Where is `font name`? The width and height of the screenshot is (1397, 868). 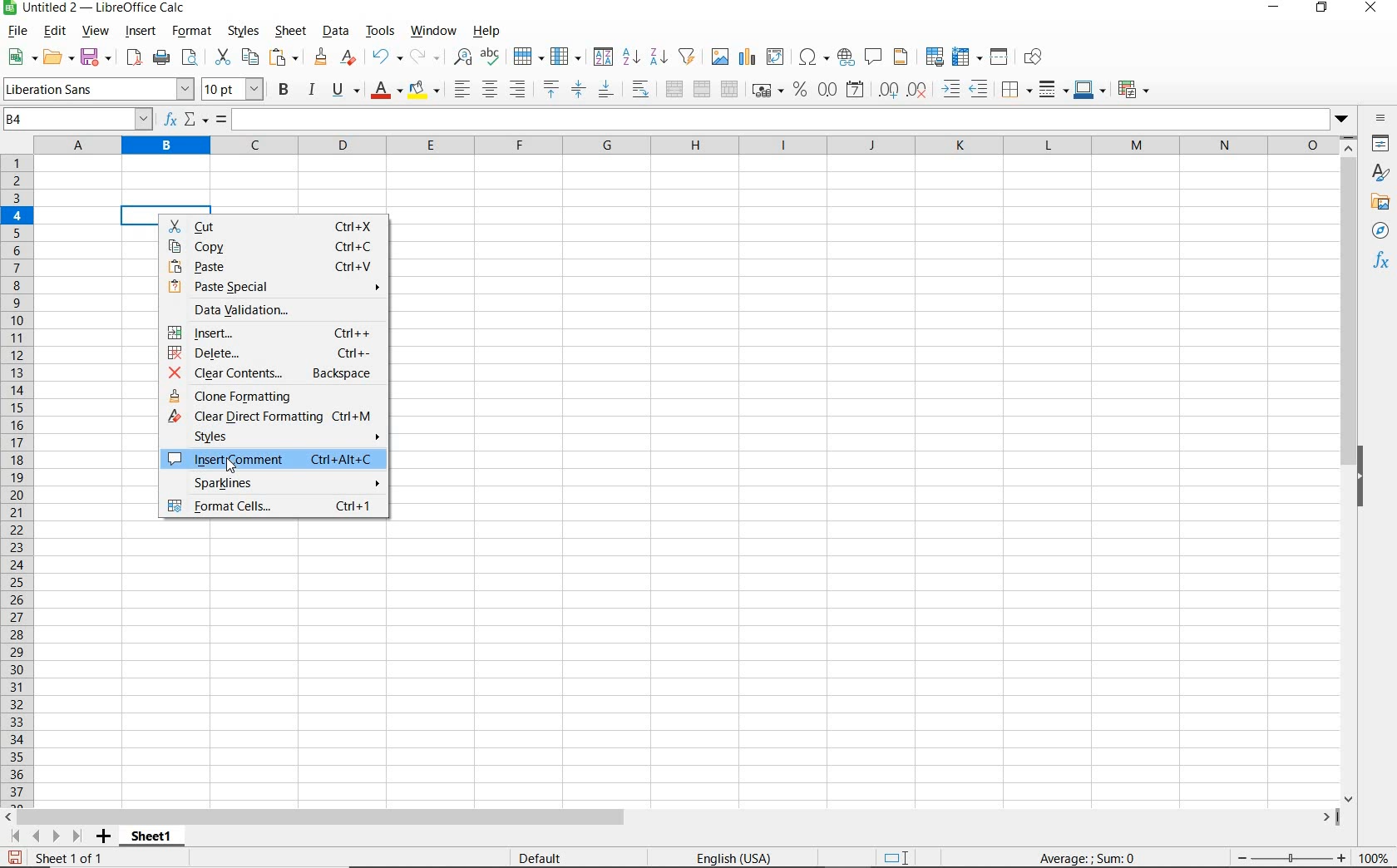 font name is located at coordinates (99, 89).